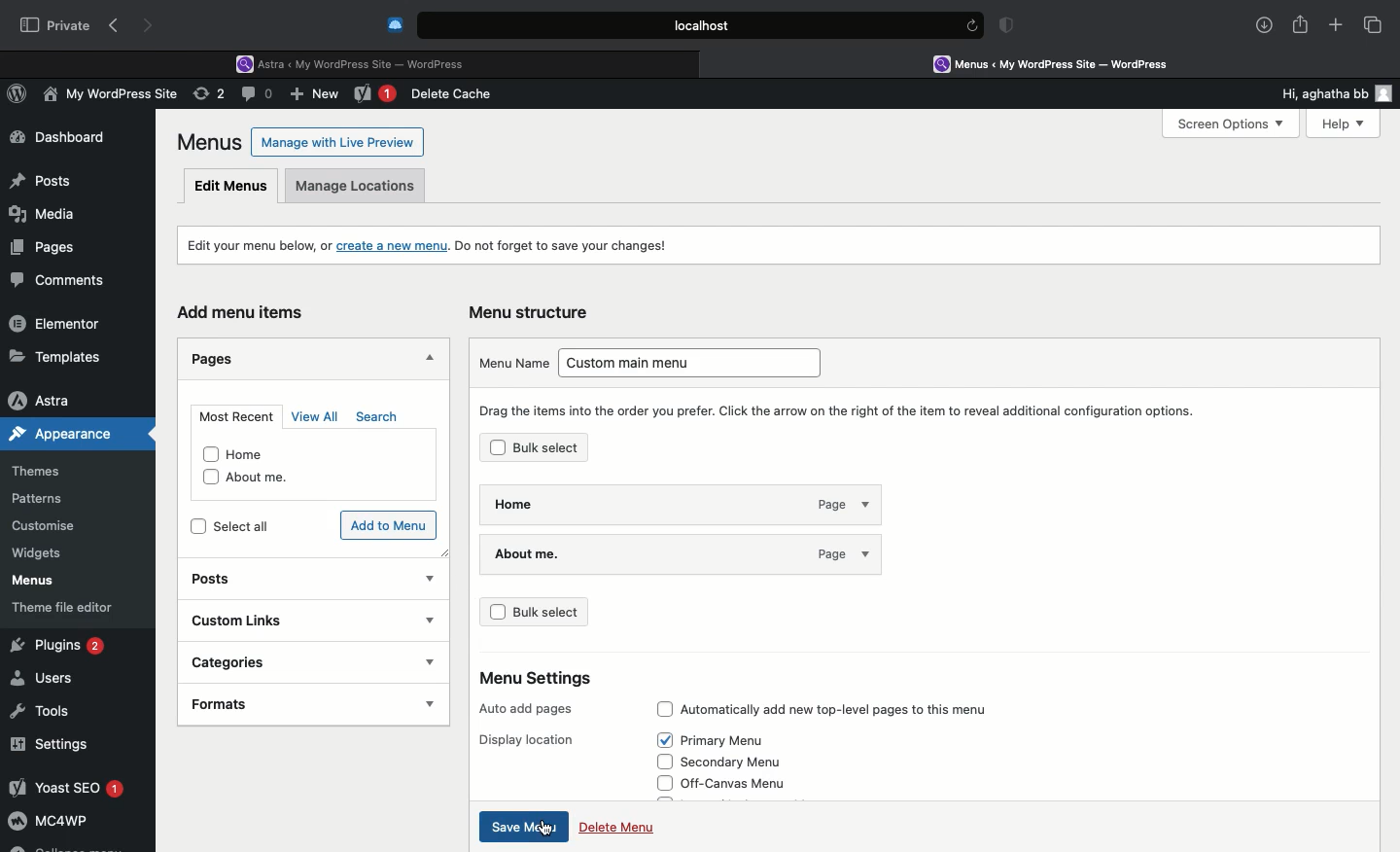 The height and width of the screenshot is (852, 1400). I want to click on show, so click(428, 710).